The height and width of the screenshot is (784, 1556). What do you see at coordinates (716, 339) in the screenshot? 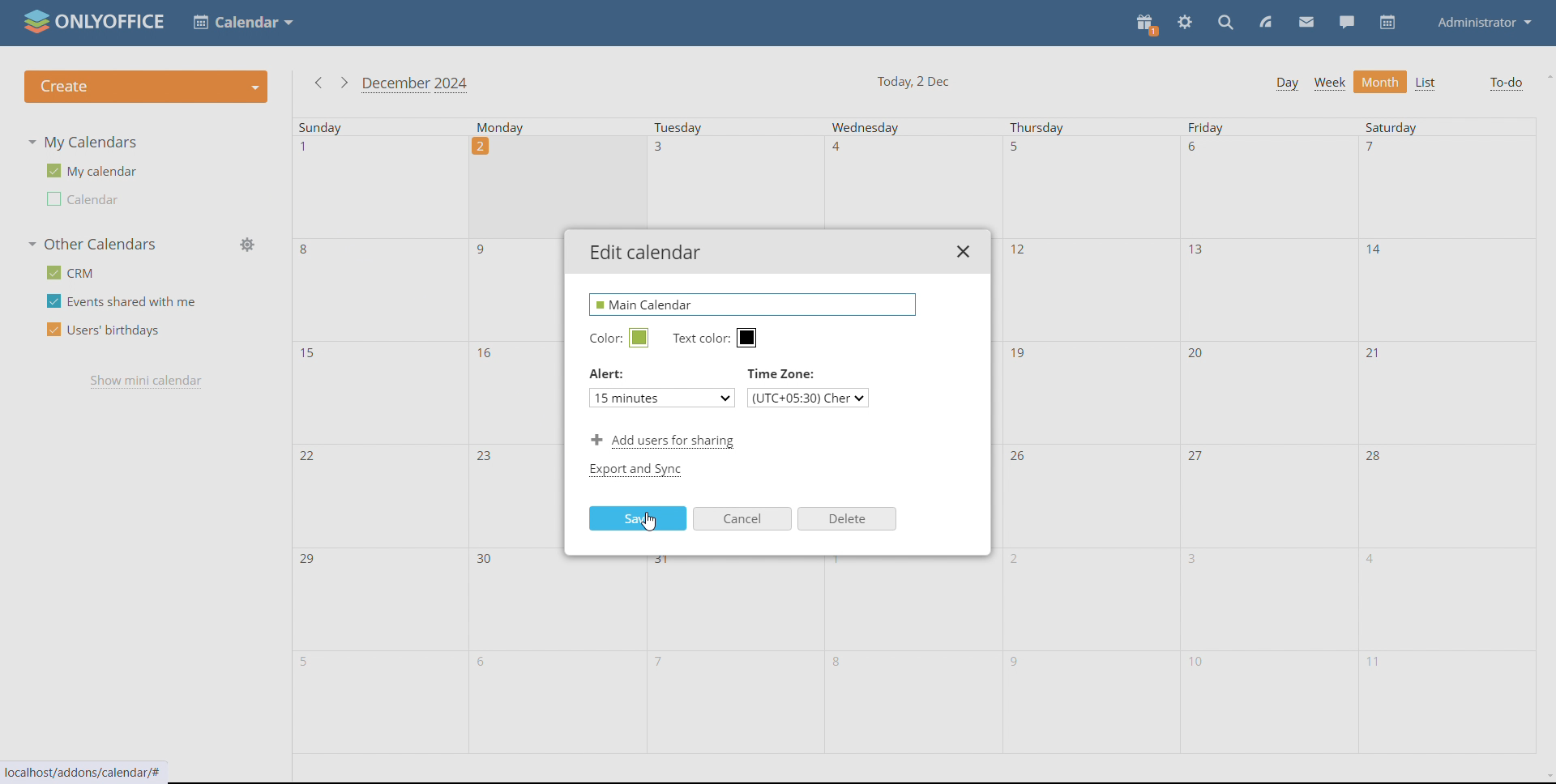
I see `text color` at bounding box center [716, 339].